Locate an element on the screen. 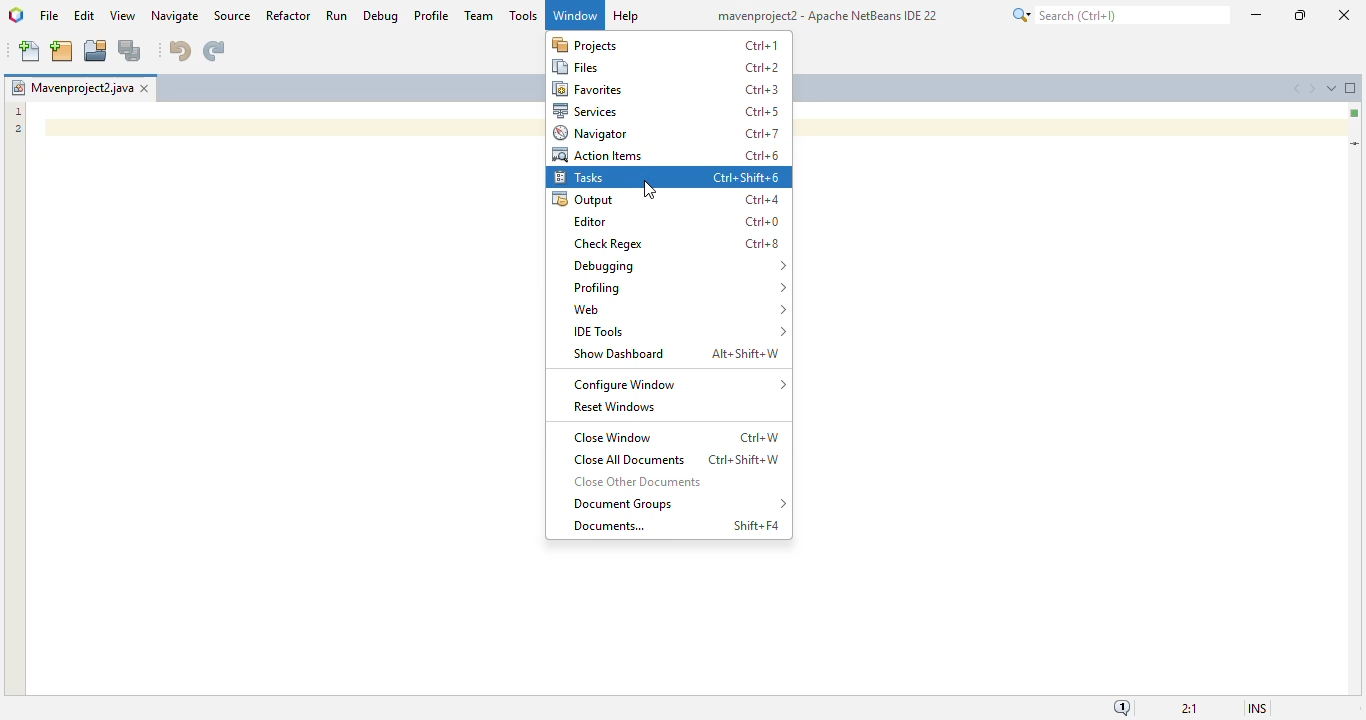 The image size is (1366, 720). file is located at coordinates (50, 15).